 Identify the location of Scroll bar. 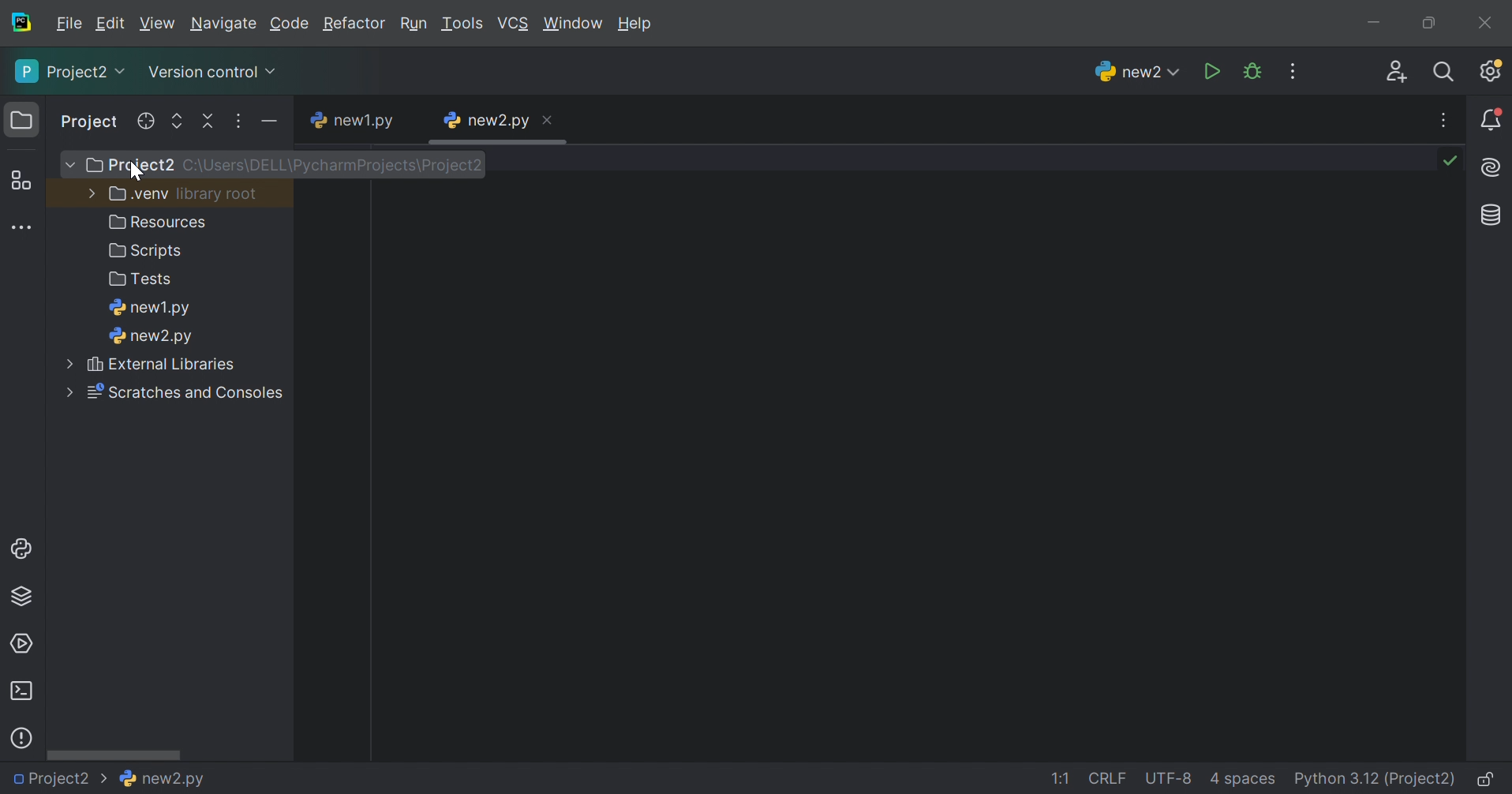
(114, 757).